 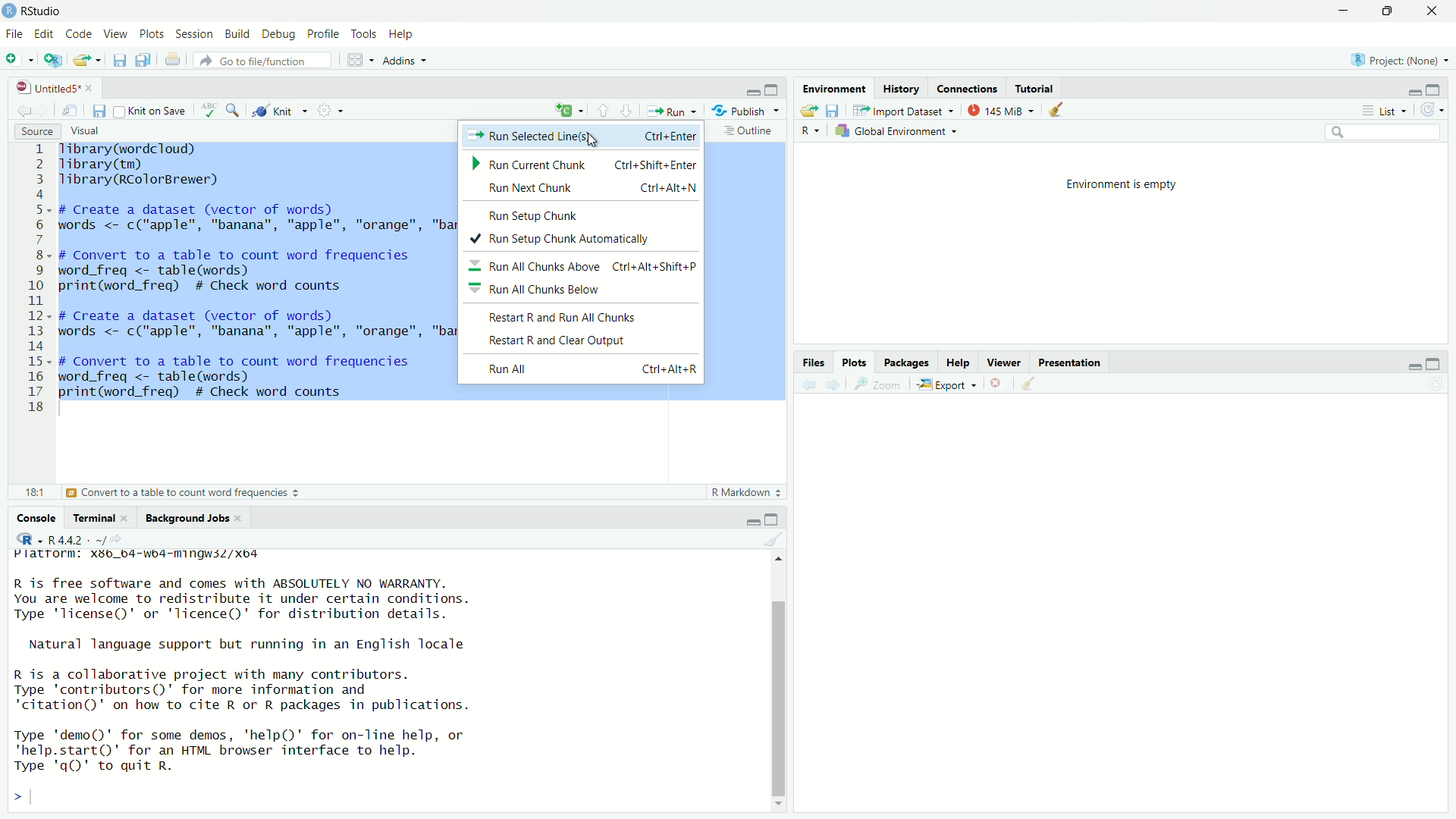 I want to click on Run, so click(x=673, y=111).